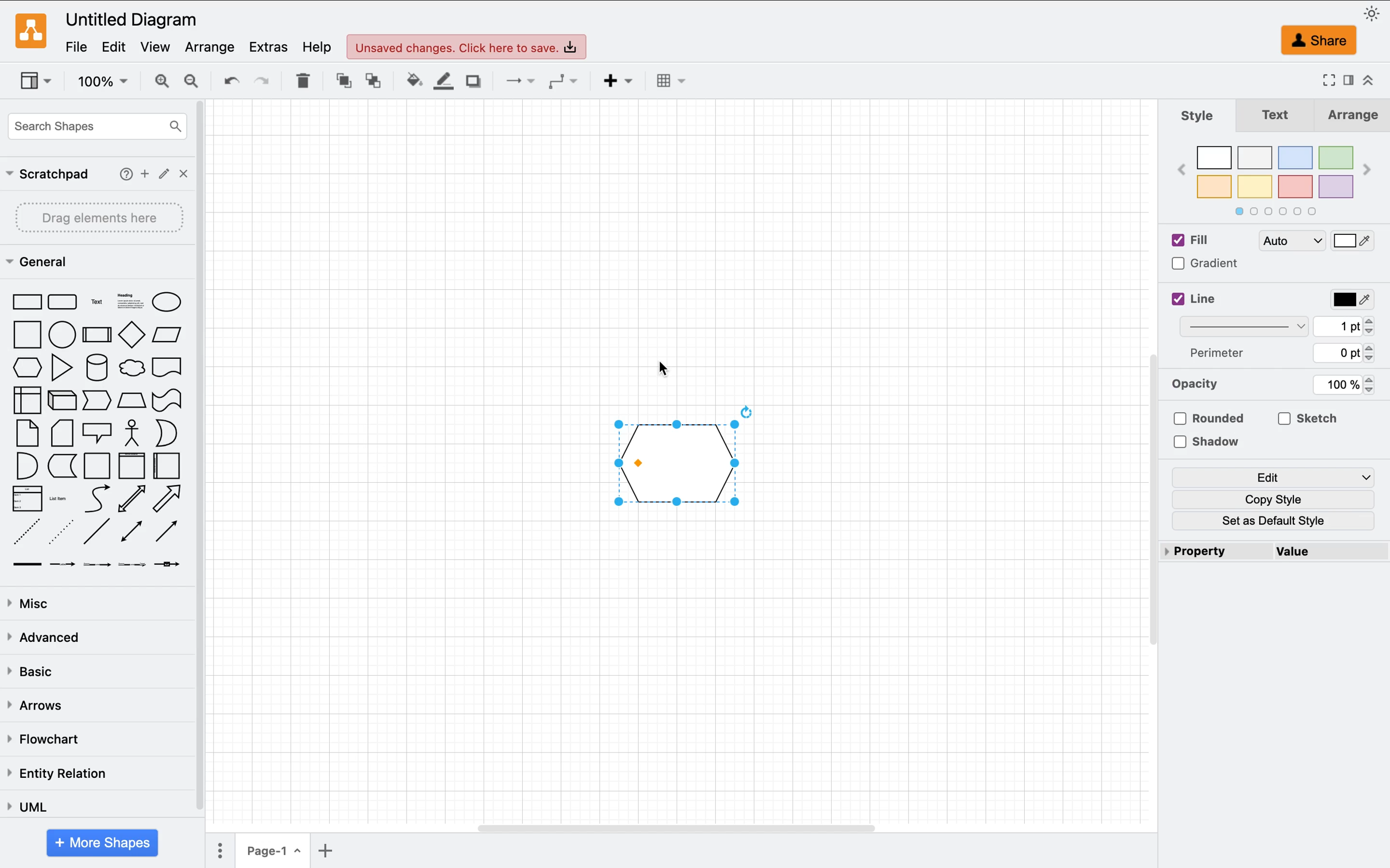  I want to click on help, so click(316, 45).